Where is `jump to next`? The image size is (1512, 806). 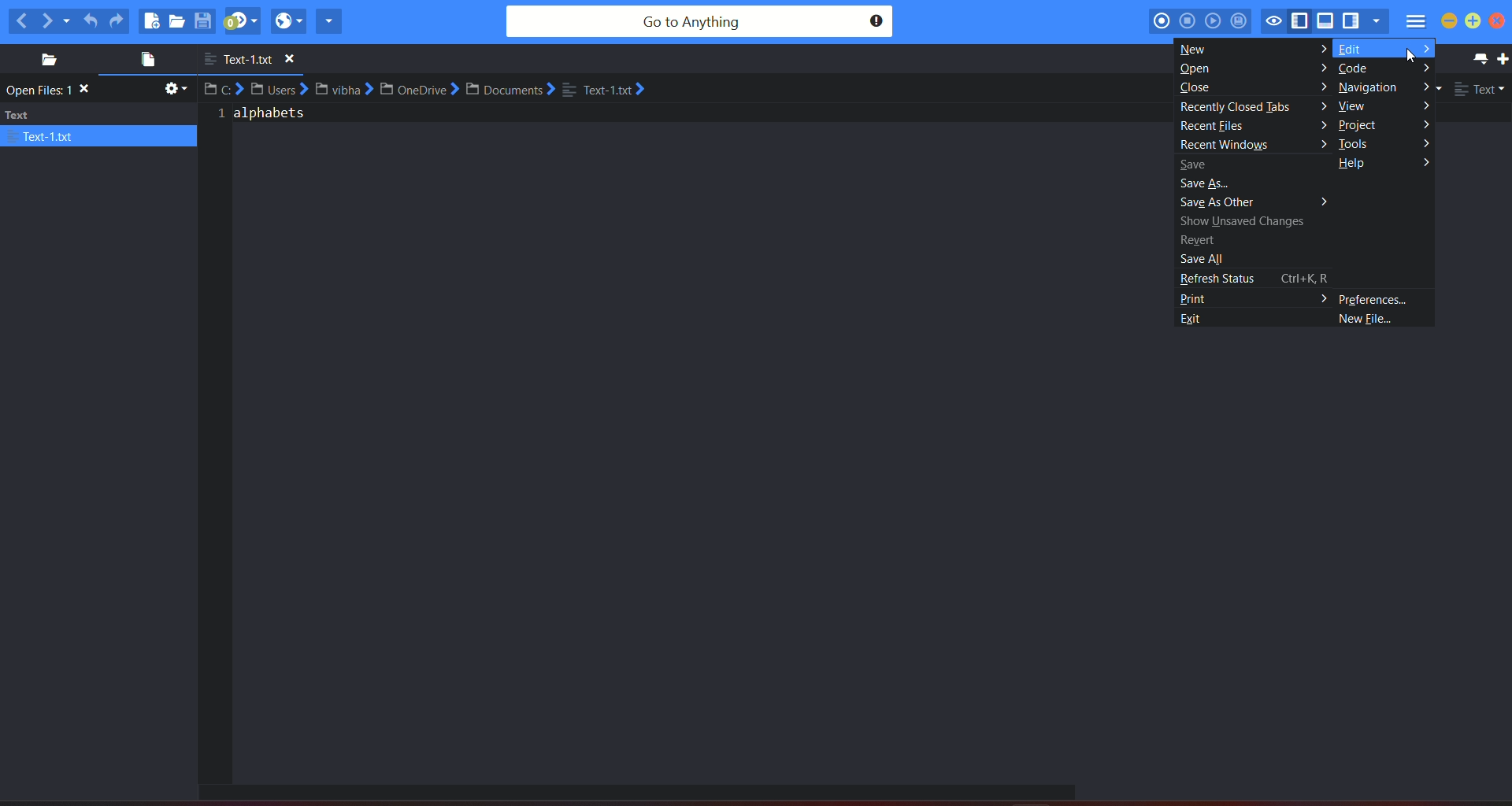
jump to next is located at coordinates (242, 21).